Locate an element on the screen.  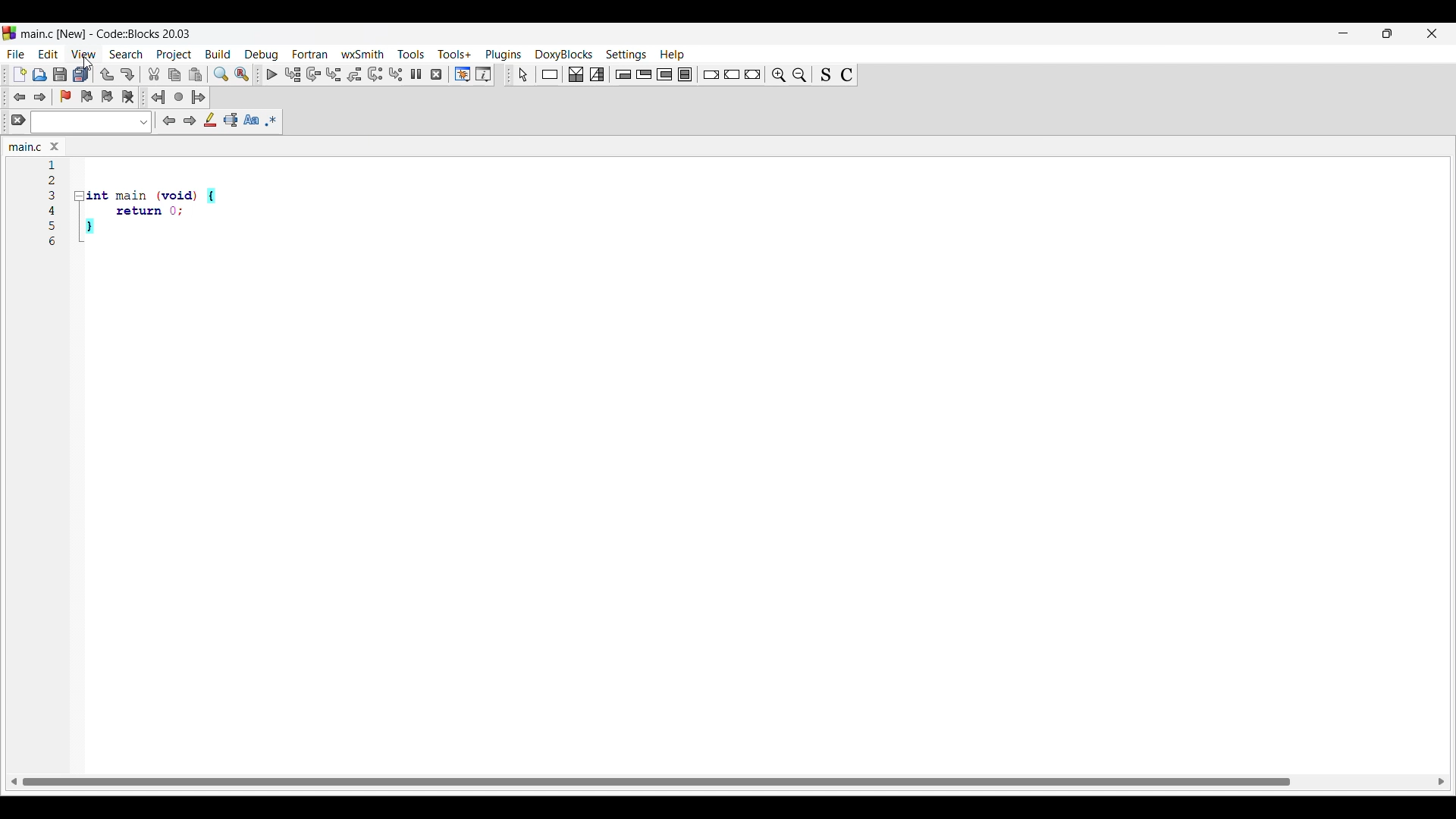
Break instruction is located at coordinates (711, 75).